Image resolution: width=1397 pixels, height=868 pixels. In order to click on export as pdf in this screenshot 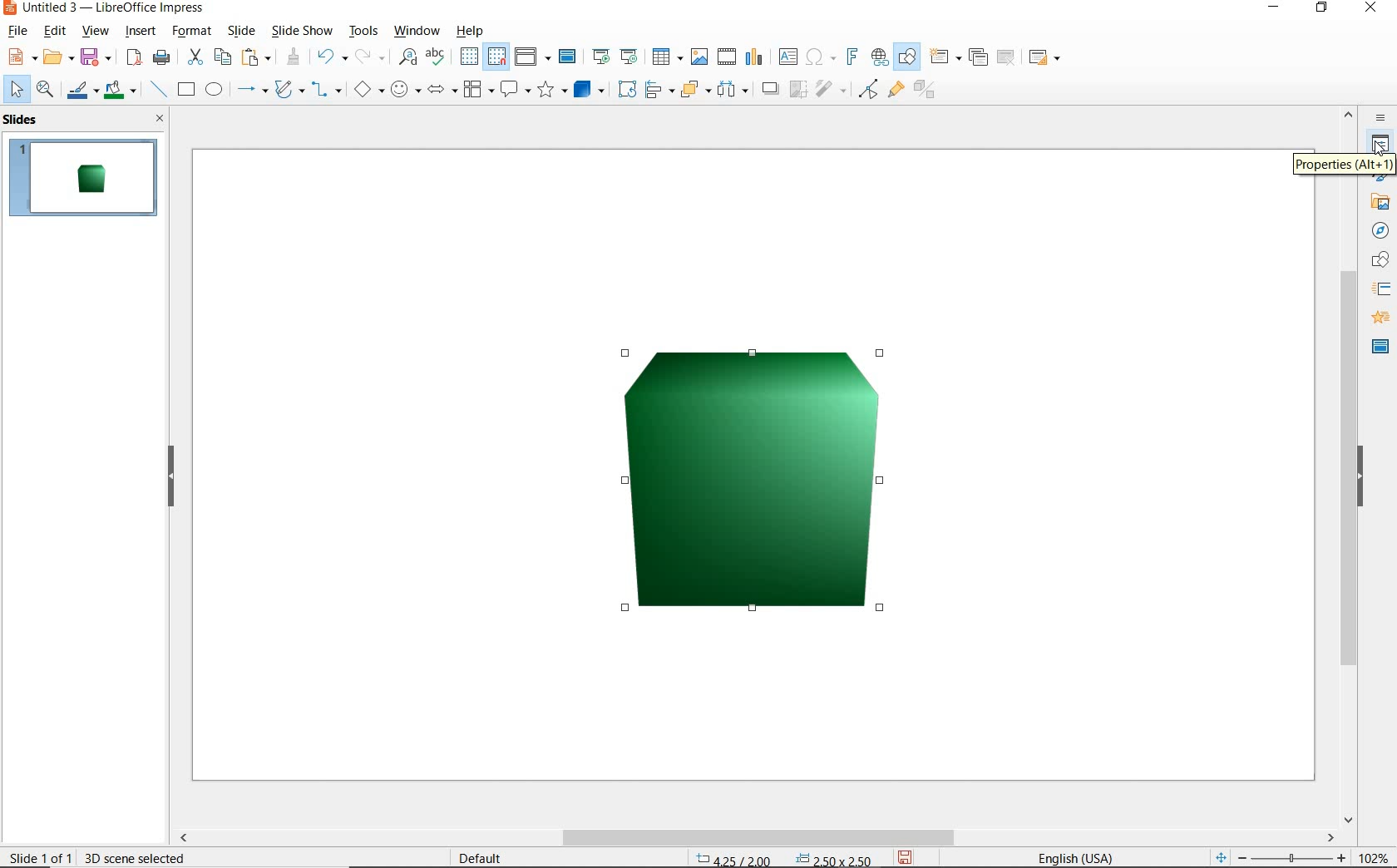, I will do `click(135, 60)`.